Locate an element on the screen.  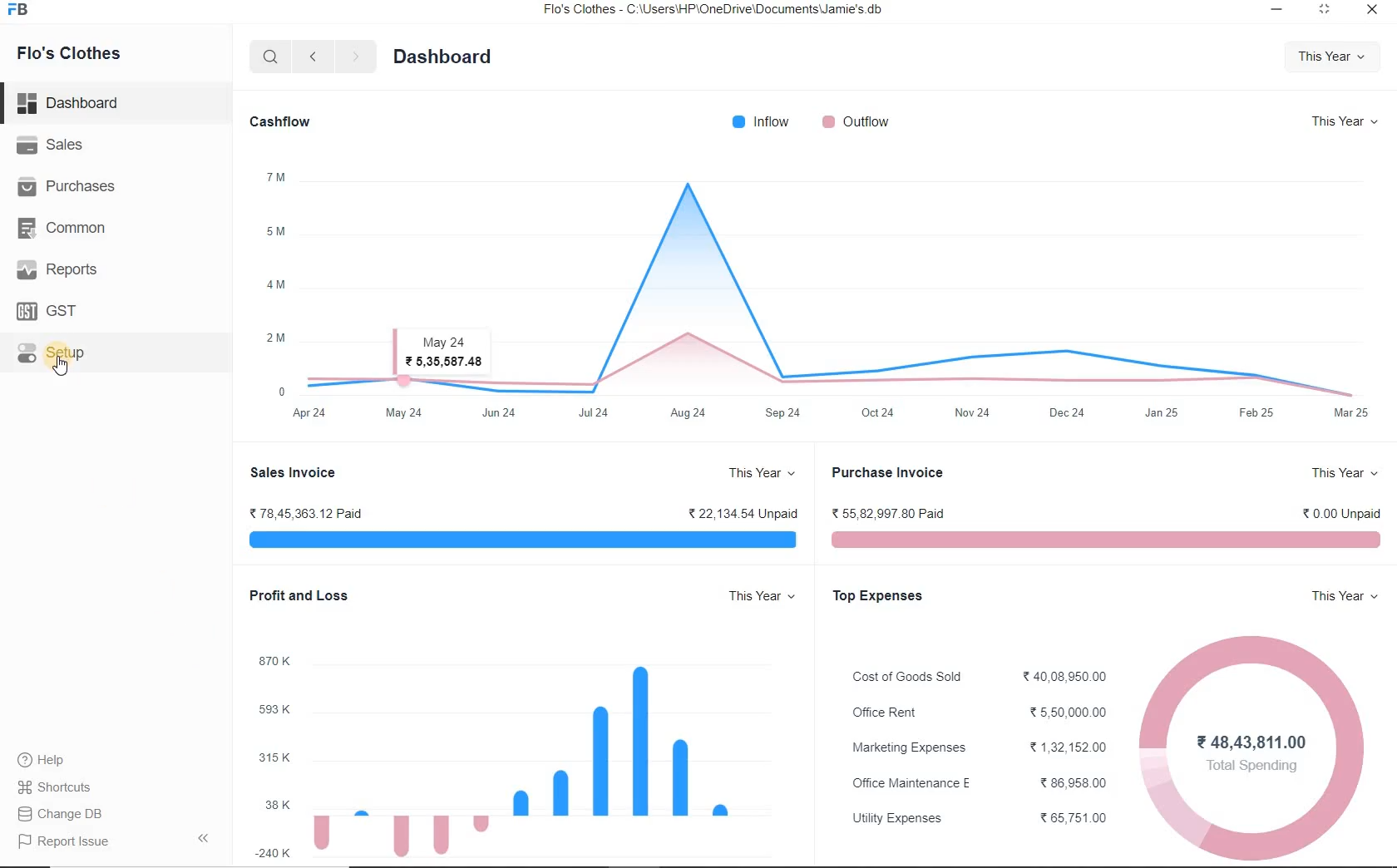
GST is located at coordinates (49, 310).